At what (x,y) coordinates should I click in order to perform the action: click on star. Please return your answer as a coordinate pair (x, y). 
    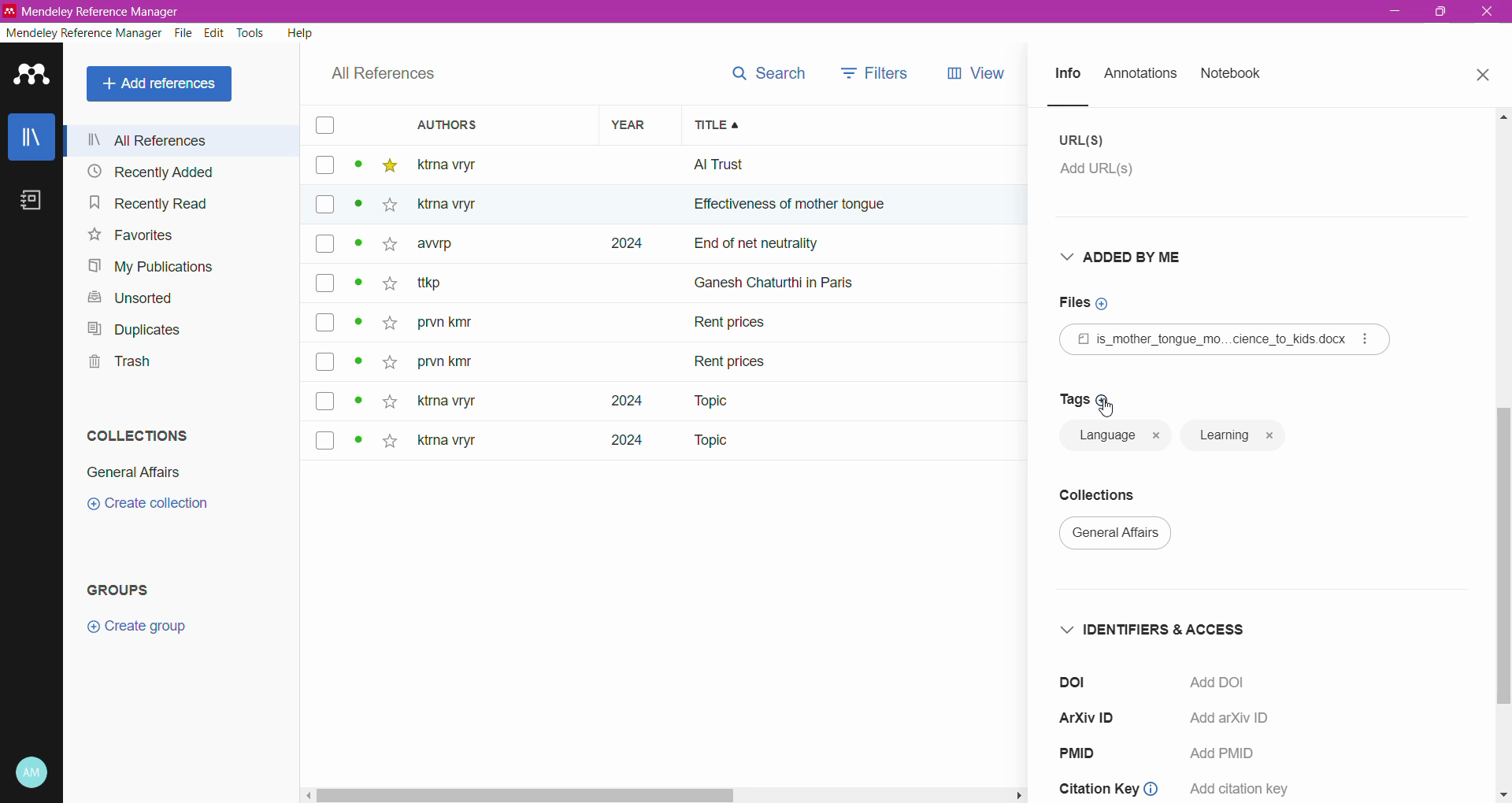
    Looking at the image, I should click on (384, 250).